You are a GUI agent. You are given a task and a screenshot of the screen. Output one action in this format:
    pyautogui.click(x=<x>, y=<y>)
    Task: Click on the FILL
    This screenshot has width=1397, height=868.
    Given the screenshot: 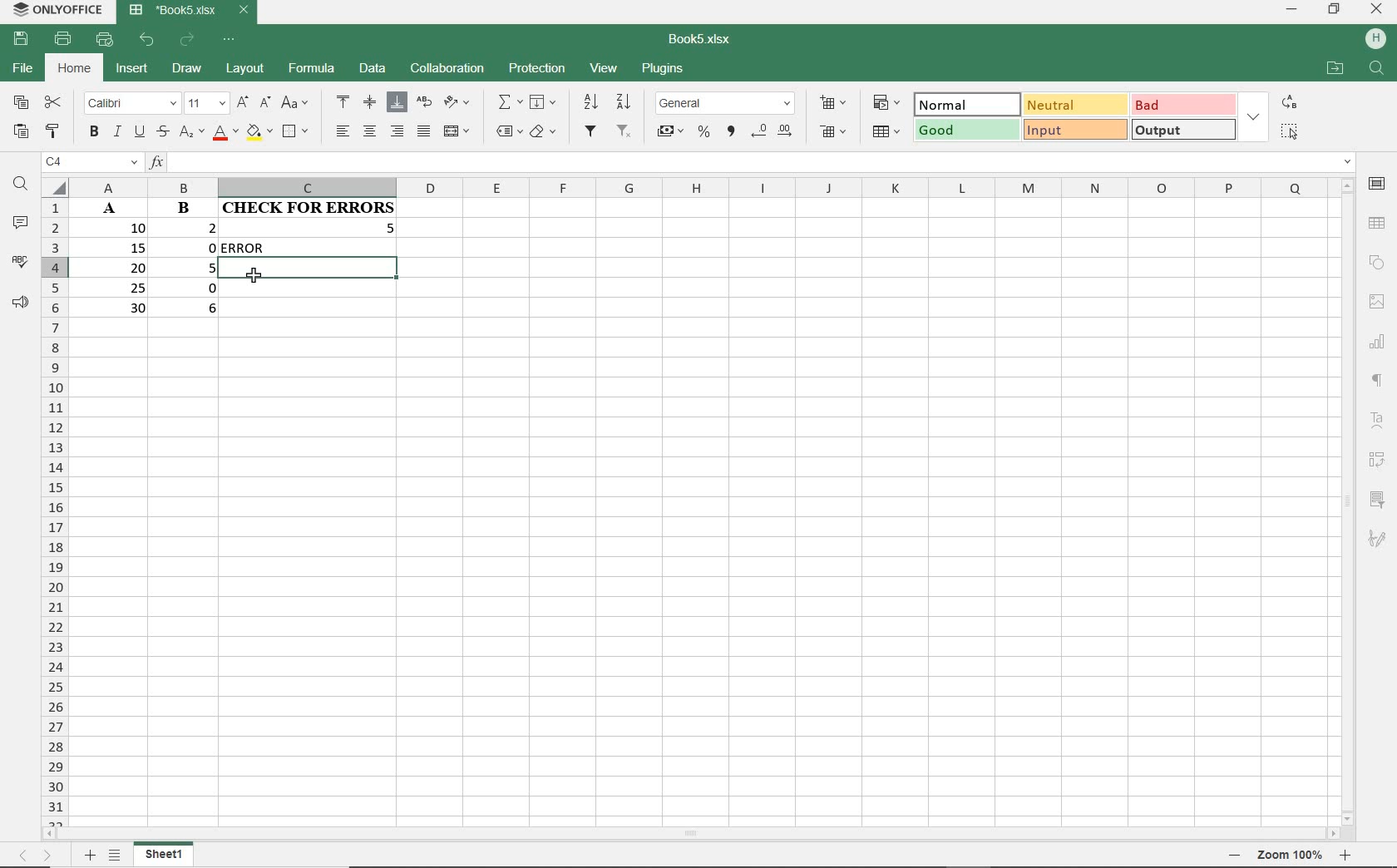 What is the action you would take?
    pyautogui.click(x=541, y=102)
    